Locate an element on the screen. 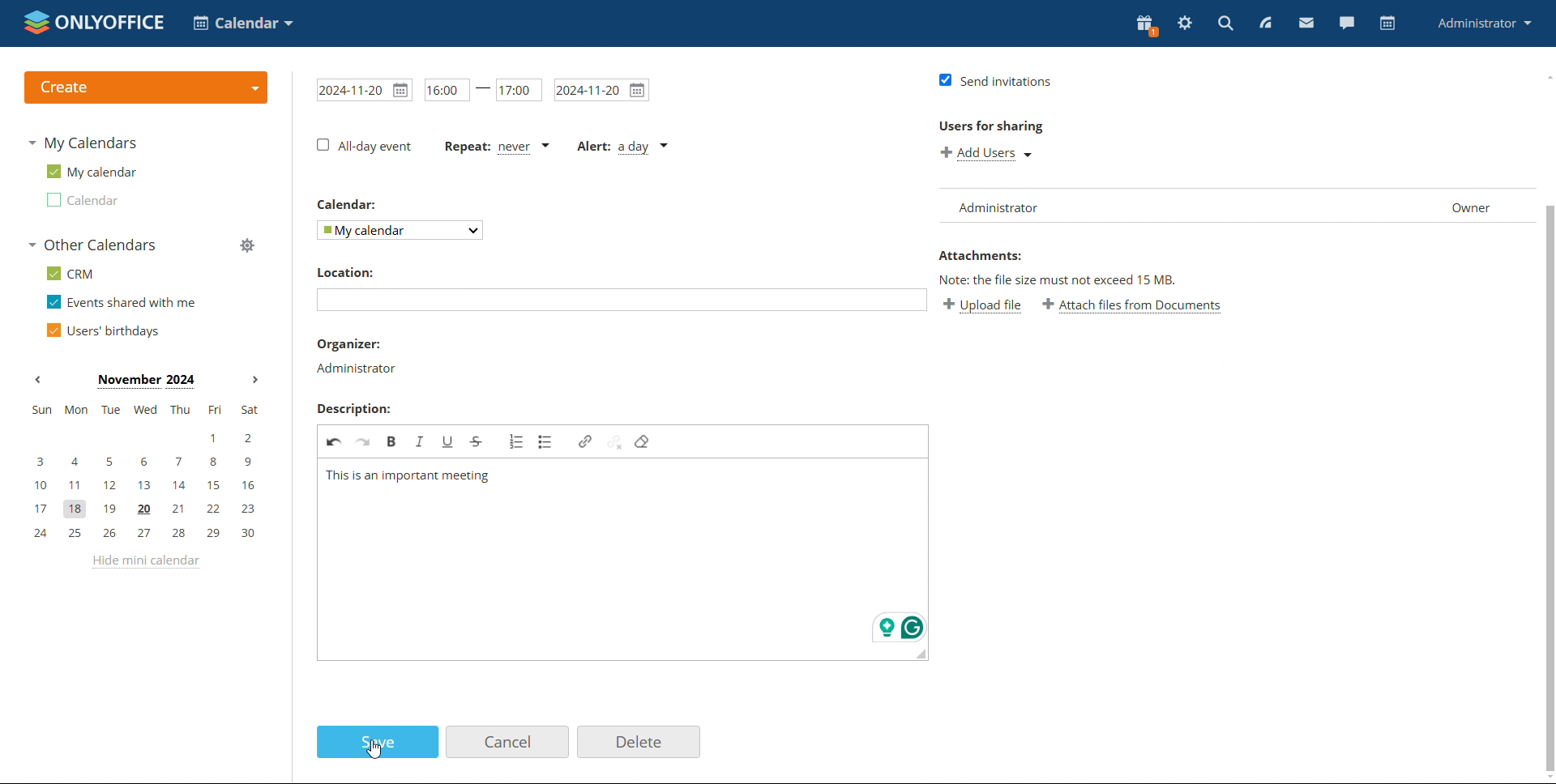 This screenshot has width=1556, height=784. note: the file size must not exceed 15 mb is located at coordinates (1060, 280).